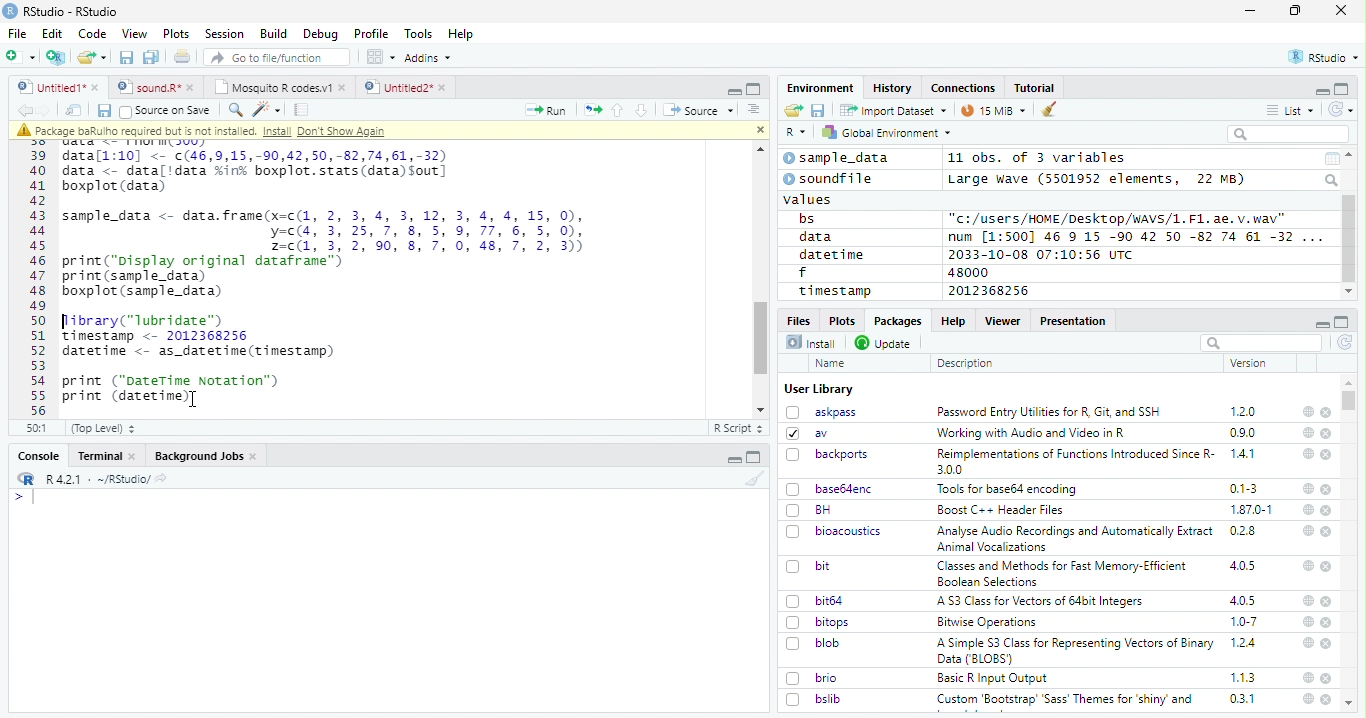  I want to click on go forward, so click(48, 110).